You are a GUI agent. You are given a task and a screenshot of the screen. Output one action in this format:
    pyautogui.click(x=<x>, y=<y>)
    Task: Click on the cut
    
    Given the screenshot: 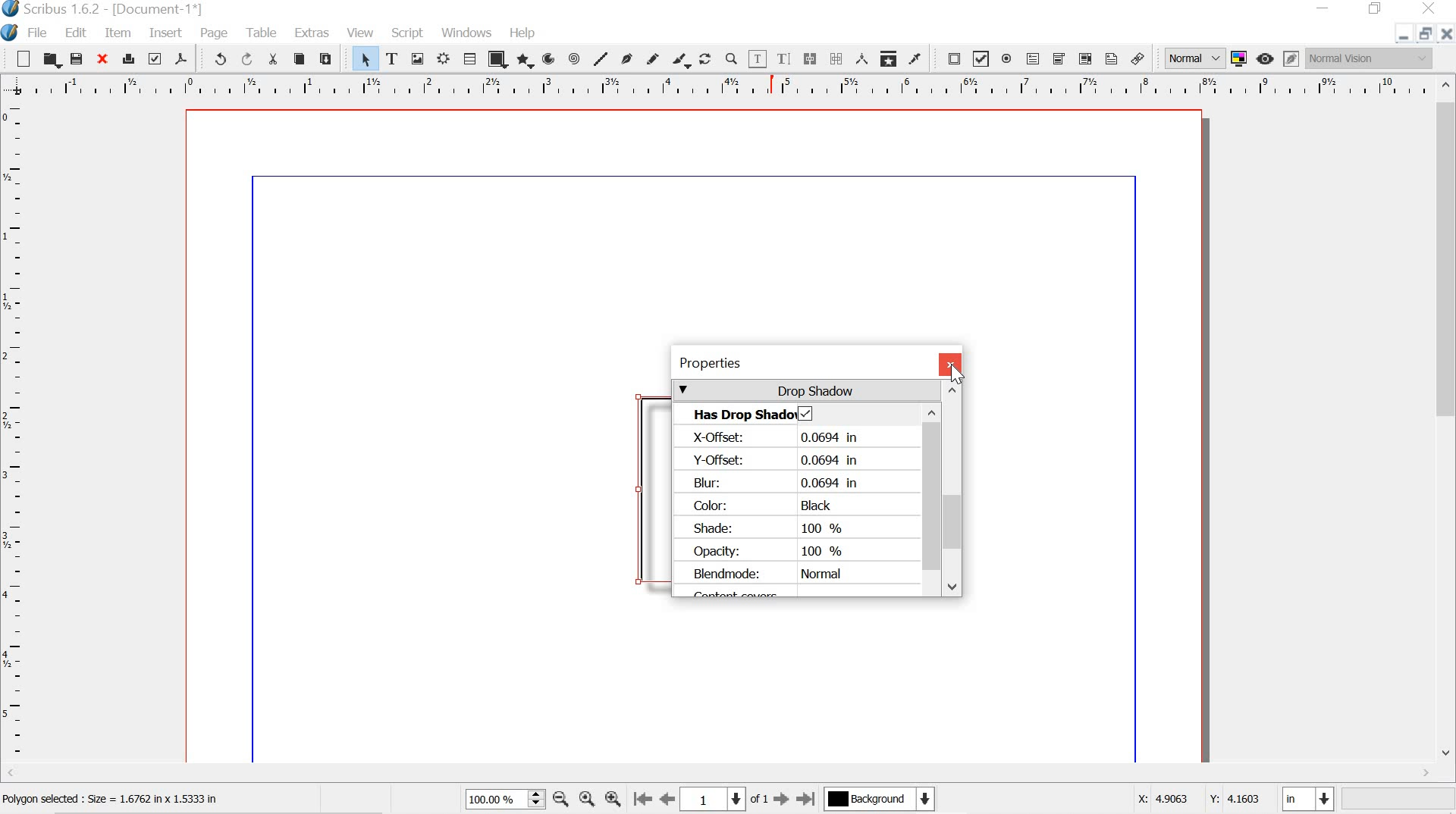 What is the action you would take?
    pyautogui.click(x=273, y=59)
    